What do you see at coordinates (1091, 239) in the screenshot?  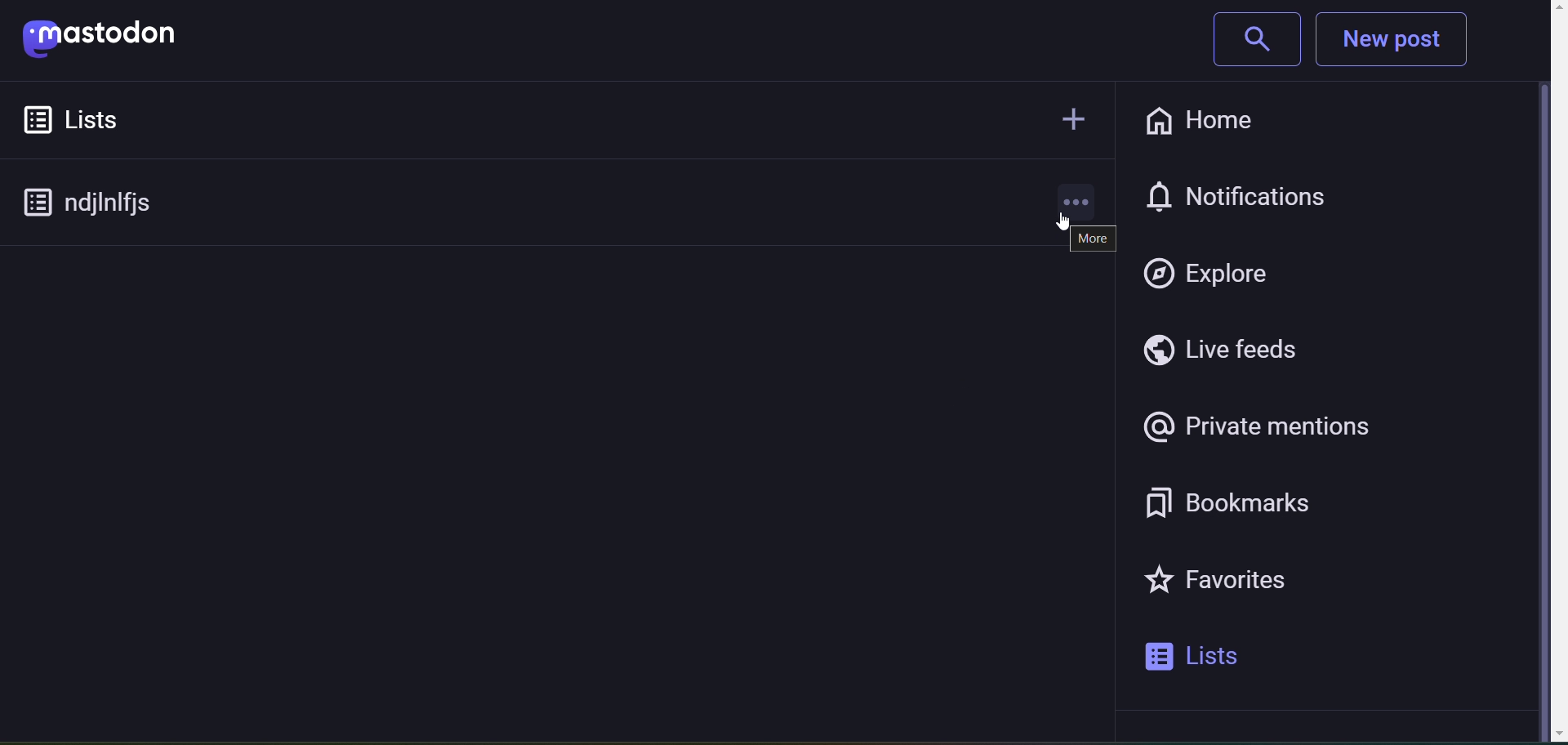 I see `more` at bounding box center [1091, 239].